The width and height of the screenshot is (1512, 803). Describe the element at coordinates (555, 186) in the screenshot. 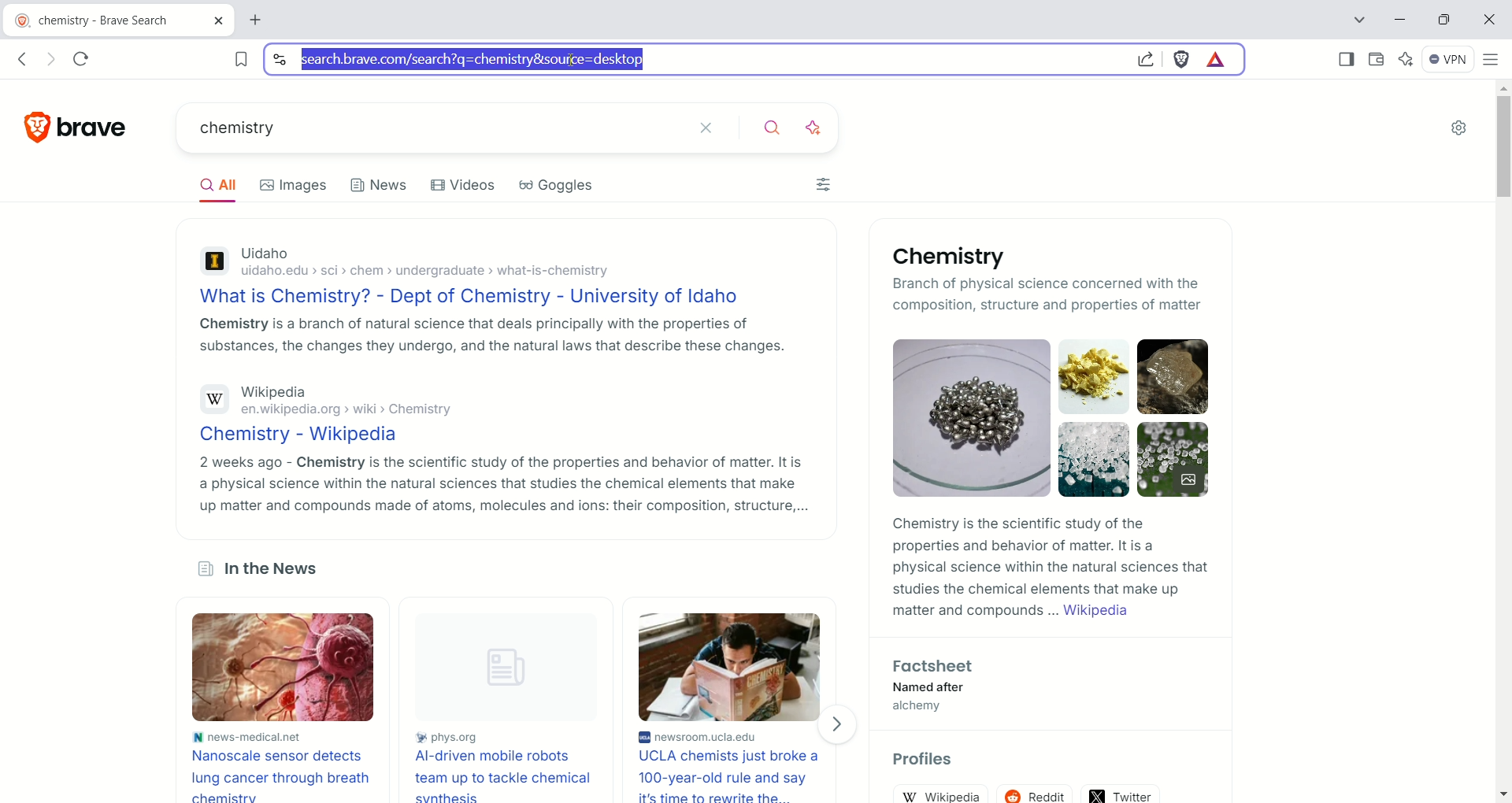

I see `goggles` at that location.